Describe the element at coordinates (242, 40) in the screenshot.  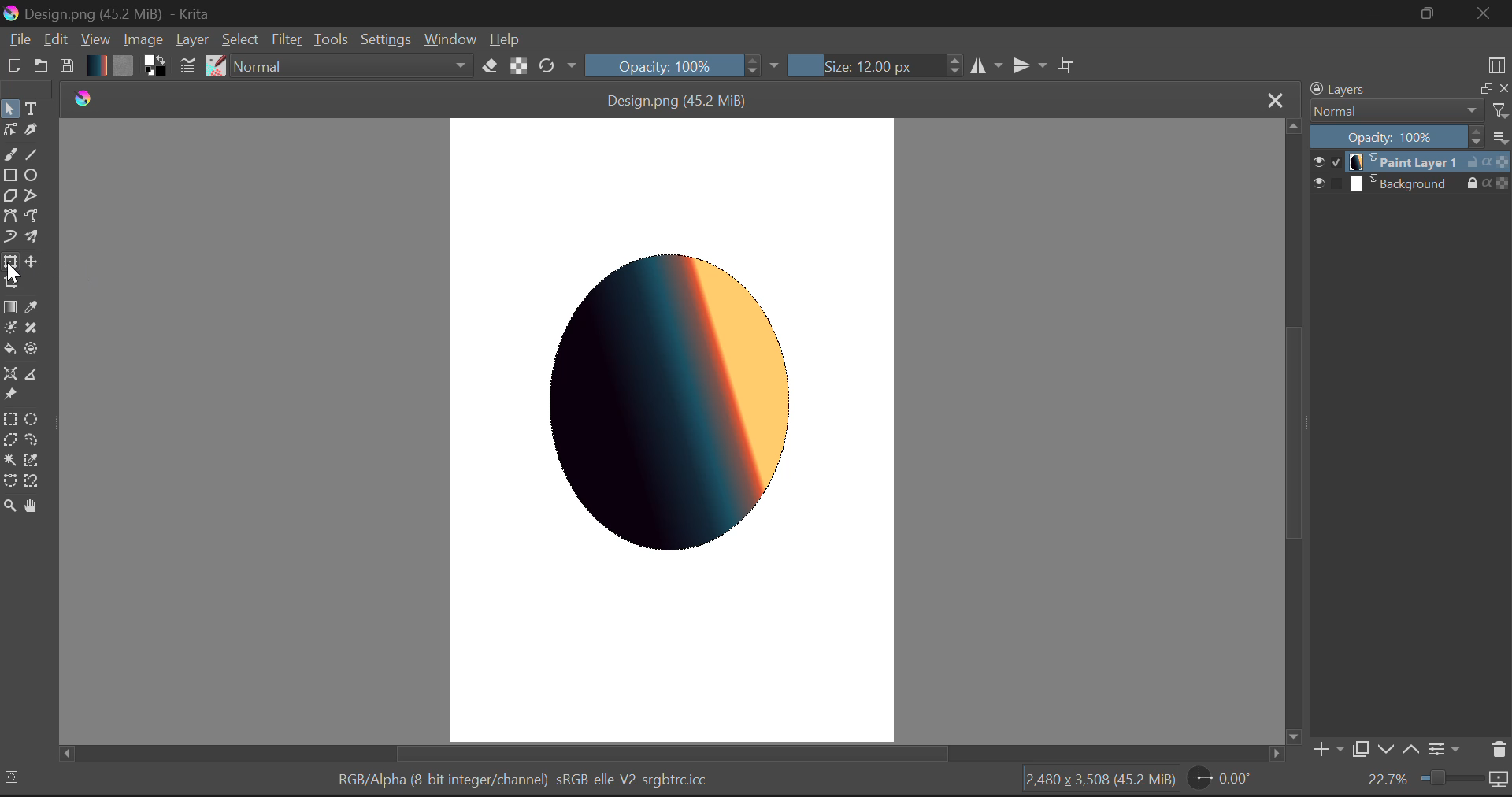
I see `Select` at that location.